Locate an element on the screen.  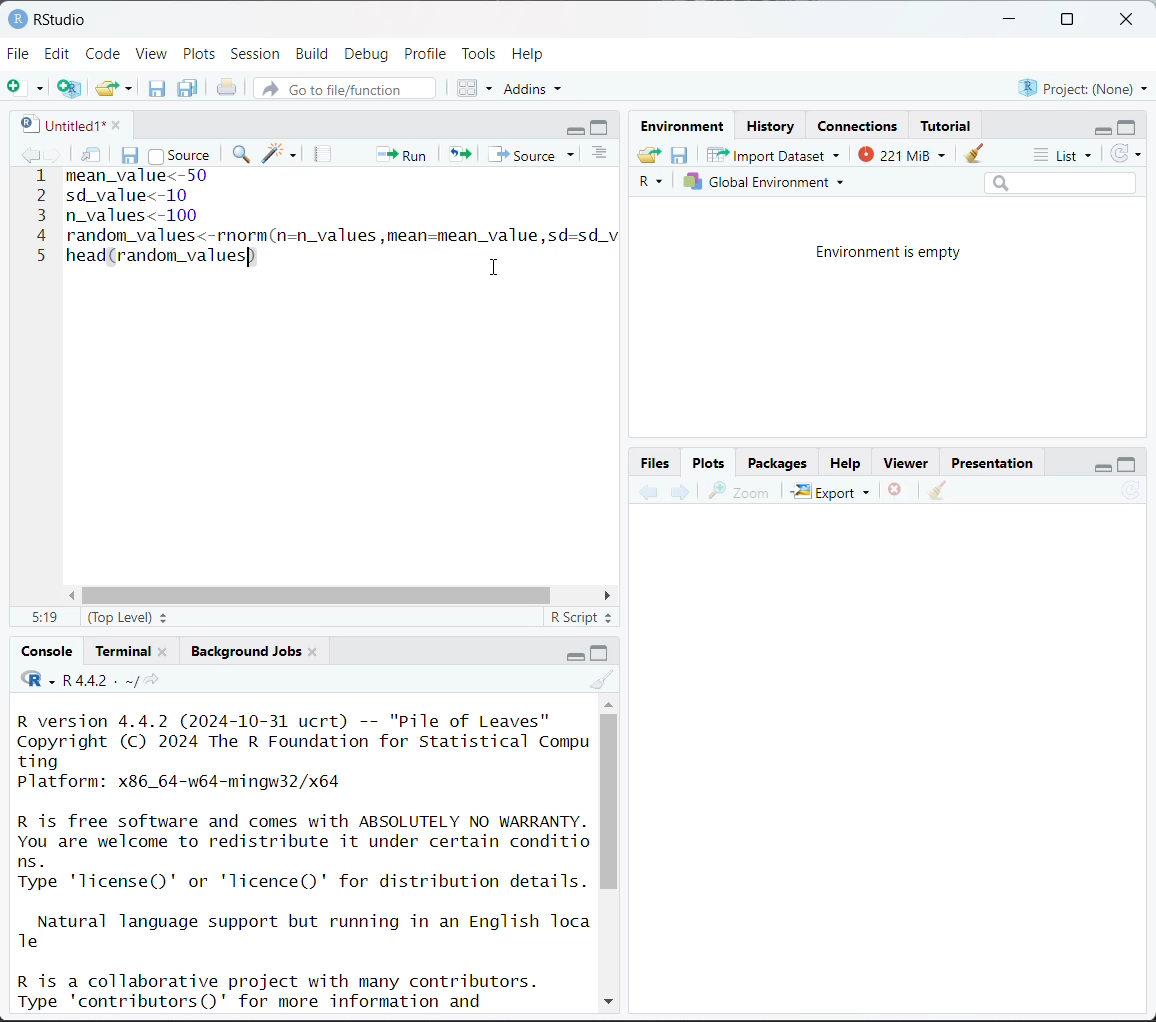
move right is located at coordinates (606, 596).